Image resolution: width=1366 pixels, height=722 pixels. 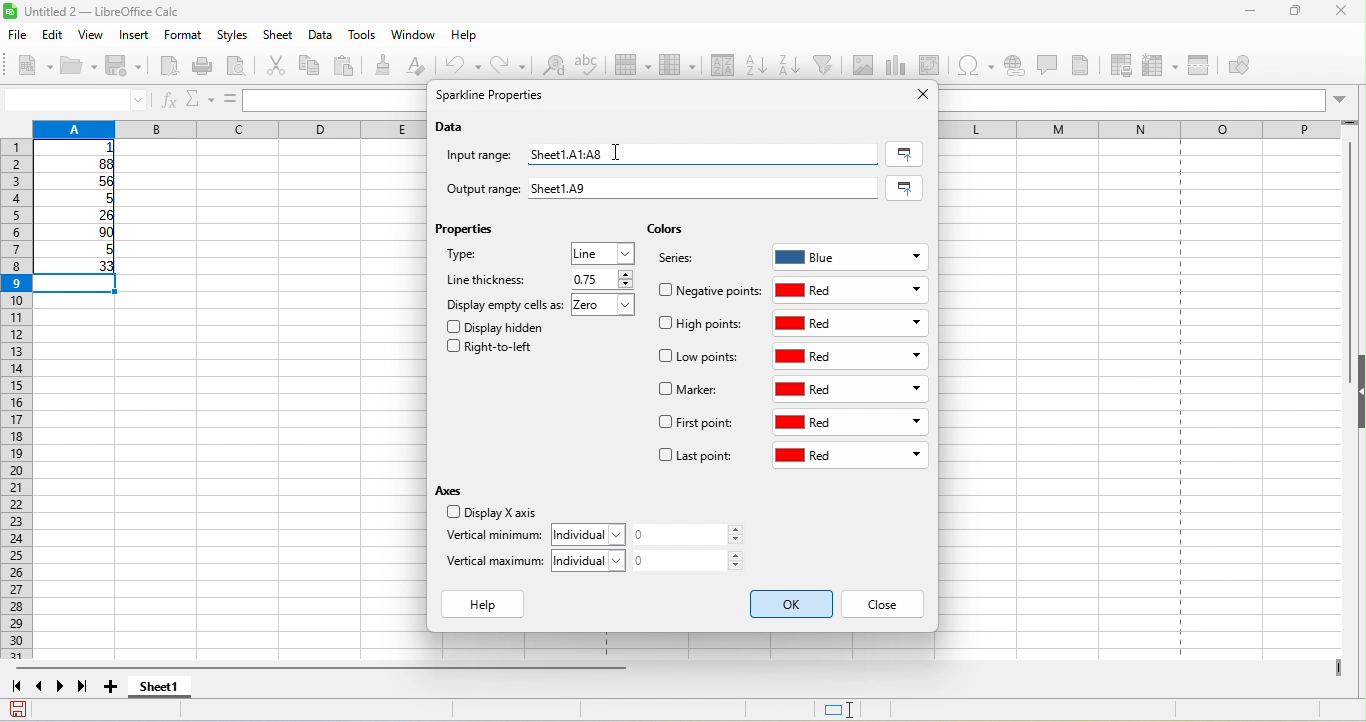 I want to click on scroll to previous sheet, so click(x=41, y=689).